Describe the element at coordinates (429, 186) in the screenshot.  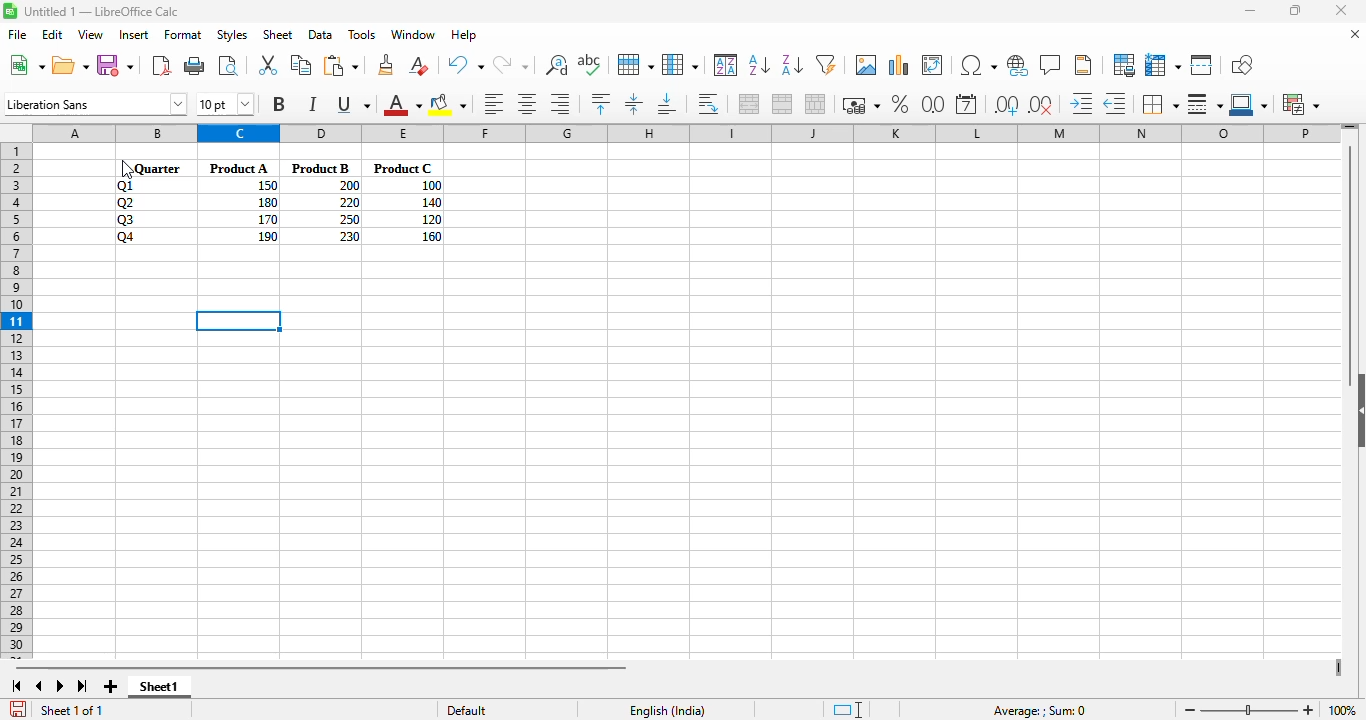
I see `100` at that location.